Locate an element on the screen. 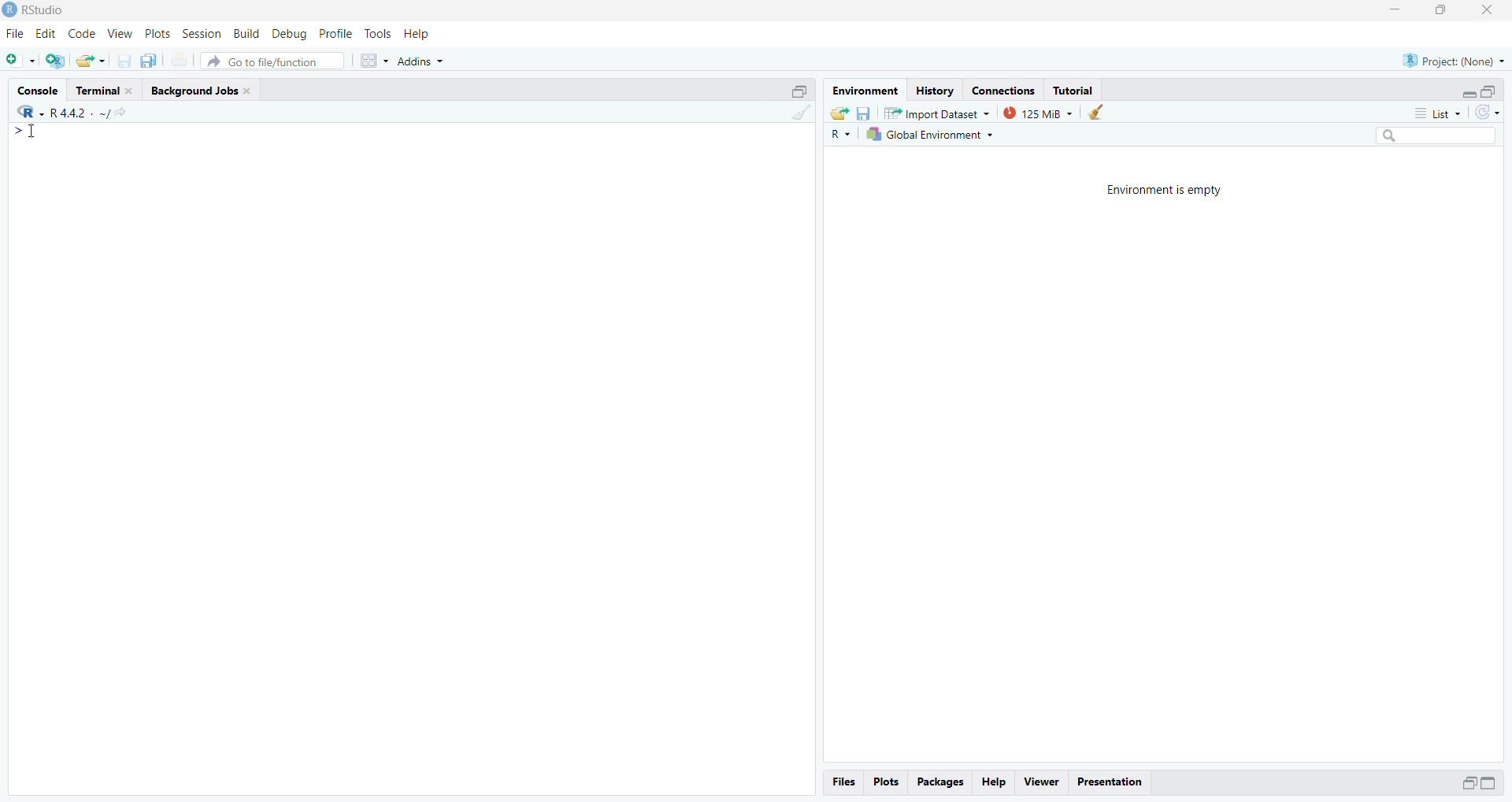 The height and width of the screenshot is (802, 1512). Code is located at coordinates (81, 34).